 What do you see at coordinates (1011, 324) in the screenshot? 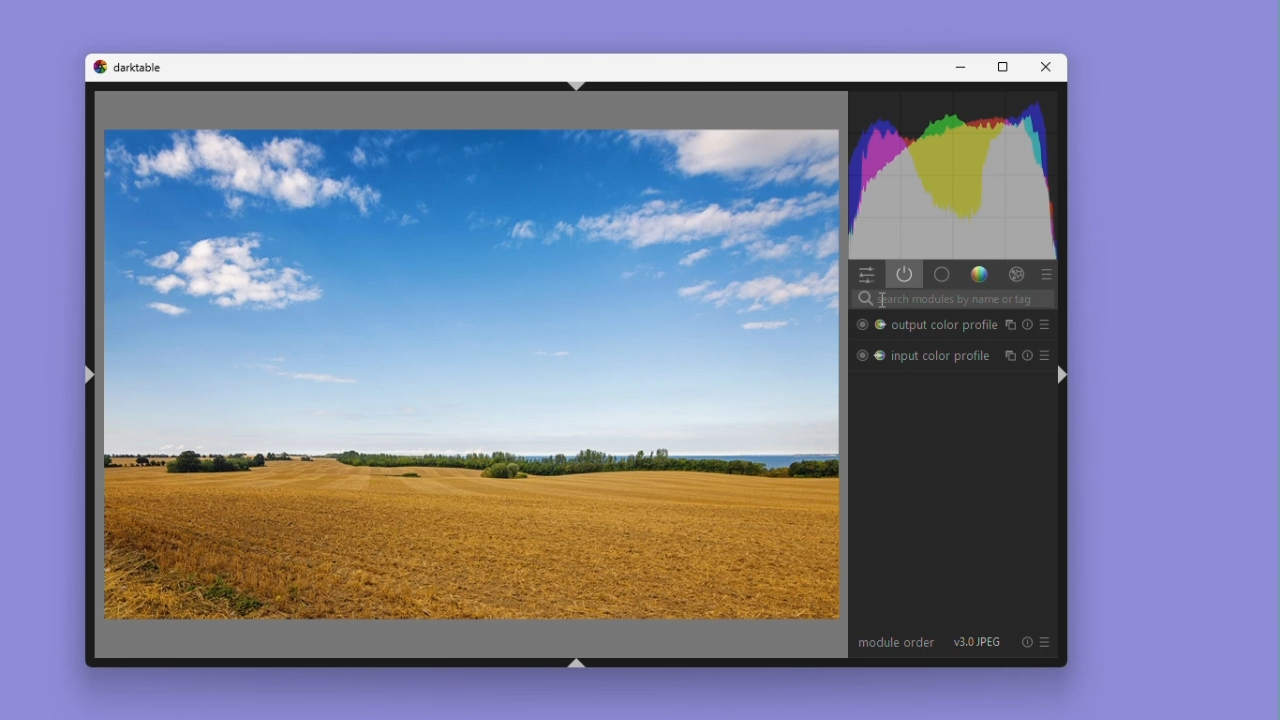
I see `multiple instance` at bounding box center [1011, 324].